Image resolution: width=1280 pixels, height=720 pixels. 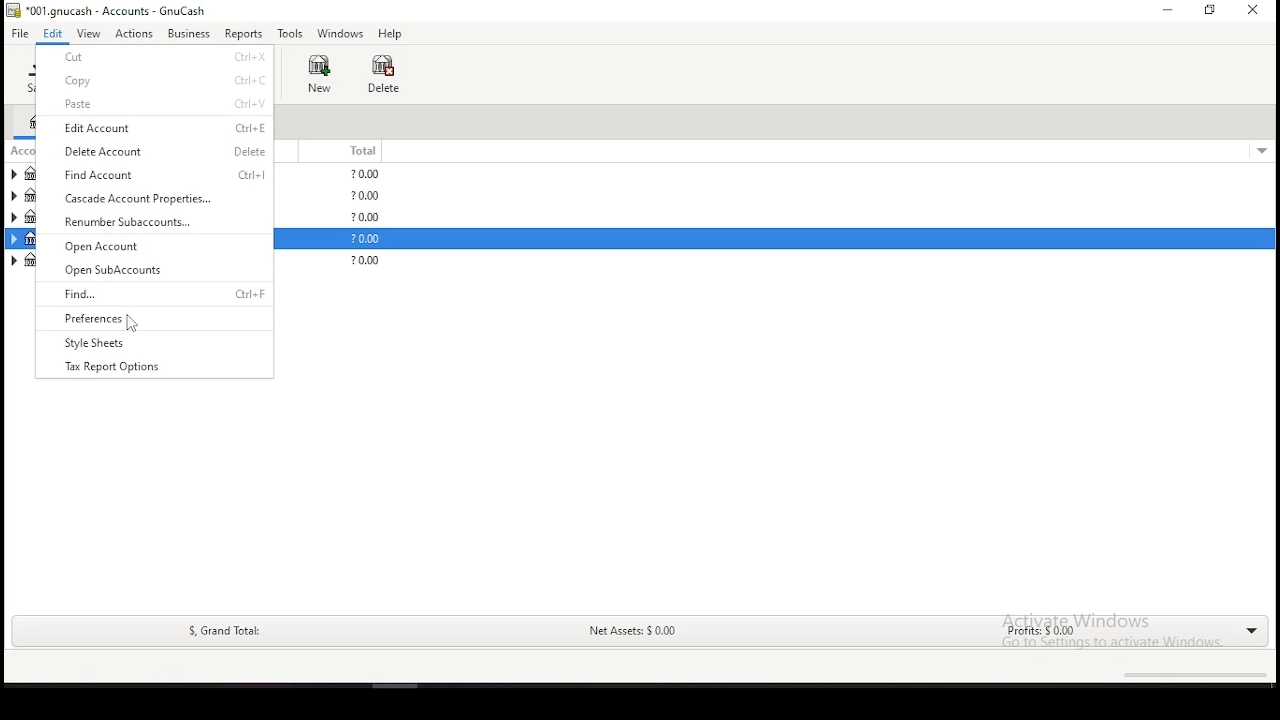 What do you see at coordinates (631, 633) in the screenshot?
I see `net assets` at bounding box center [631, 633].